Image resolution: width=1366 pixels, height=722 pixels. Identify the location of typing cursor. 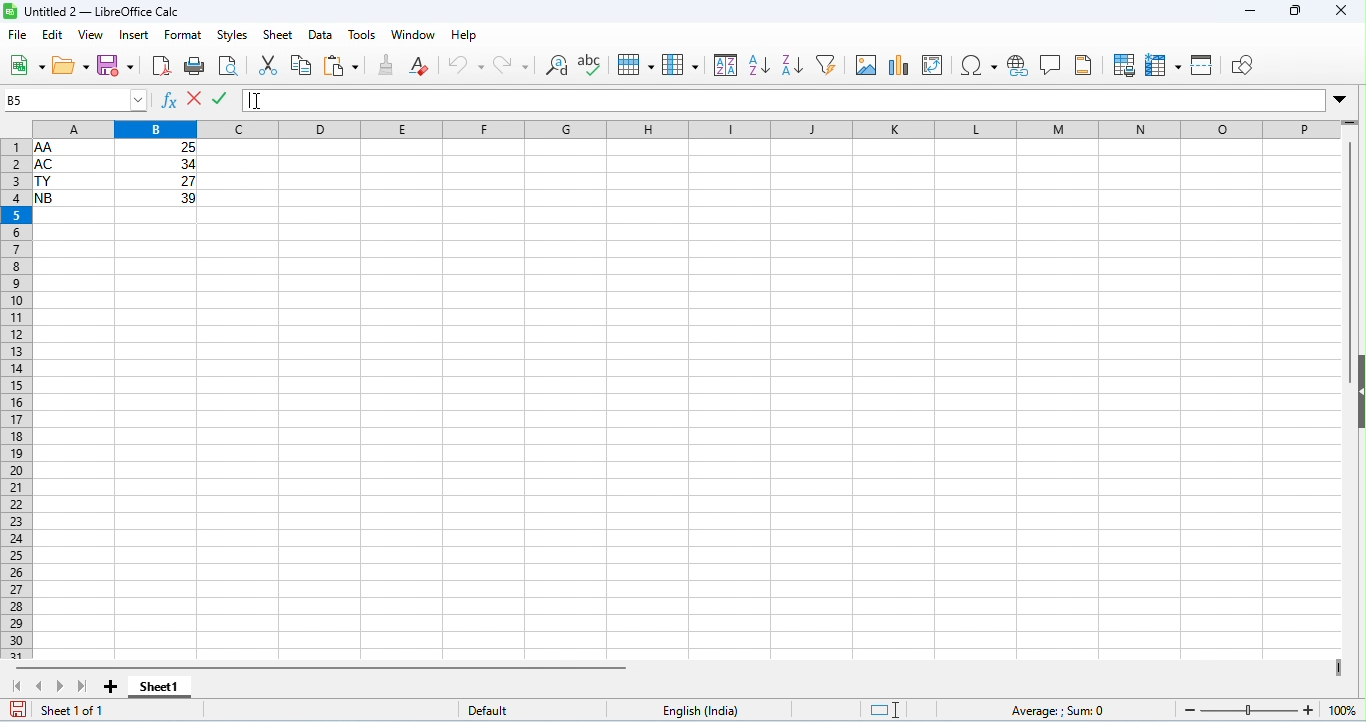
(249, 101).